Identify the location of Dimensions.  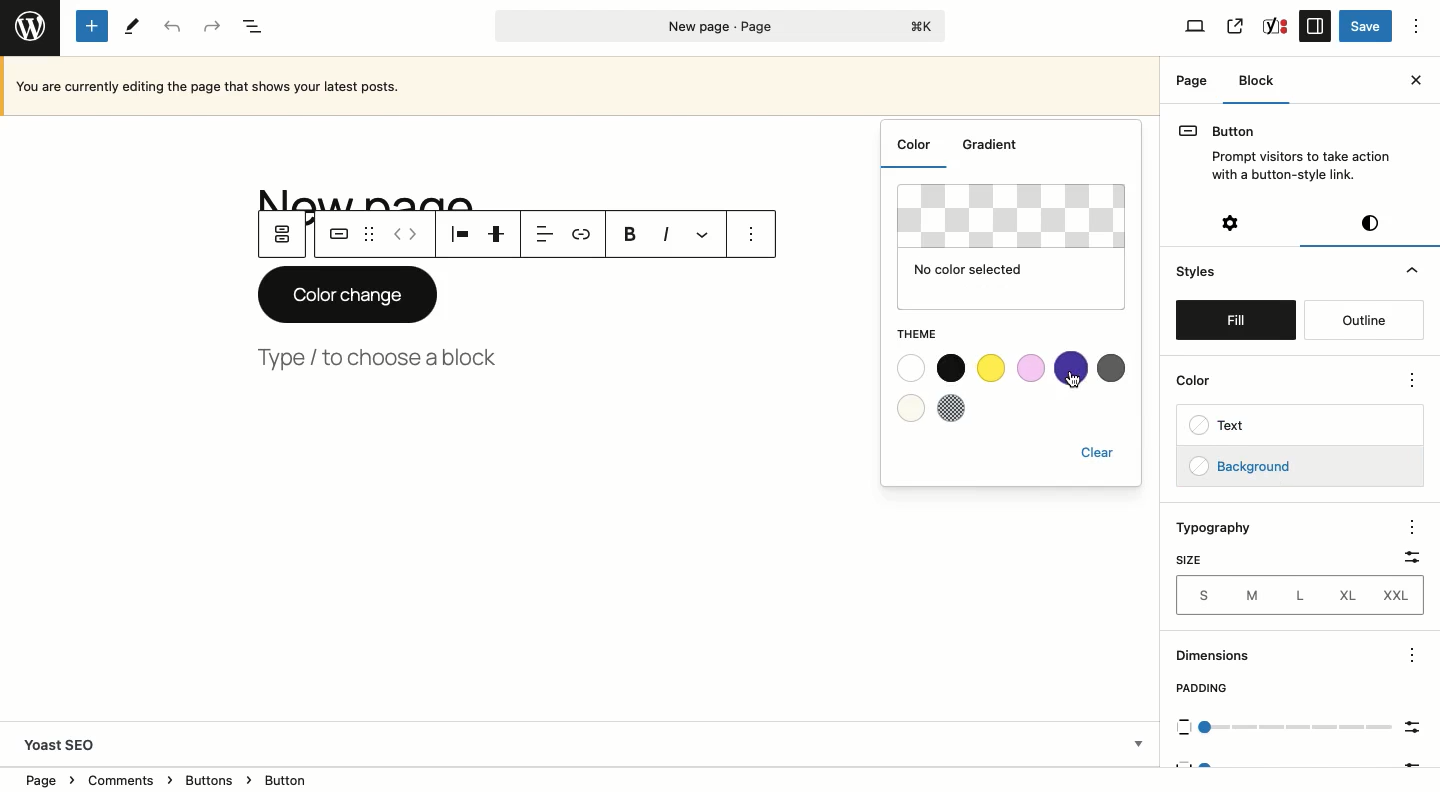
(1224, 657).